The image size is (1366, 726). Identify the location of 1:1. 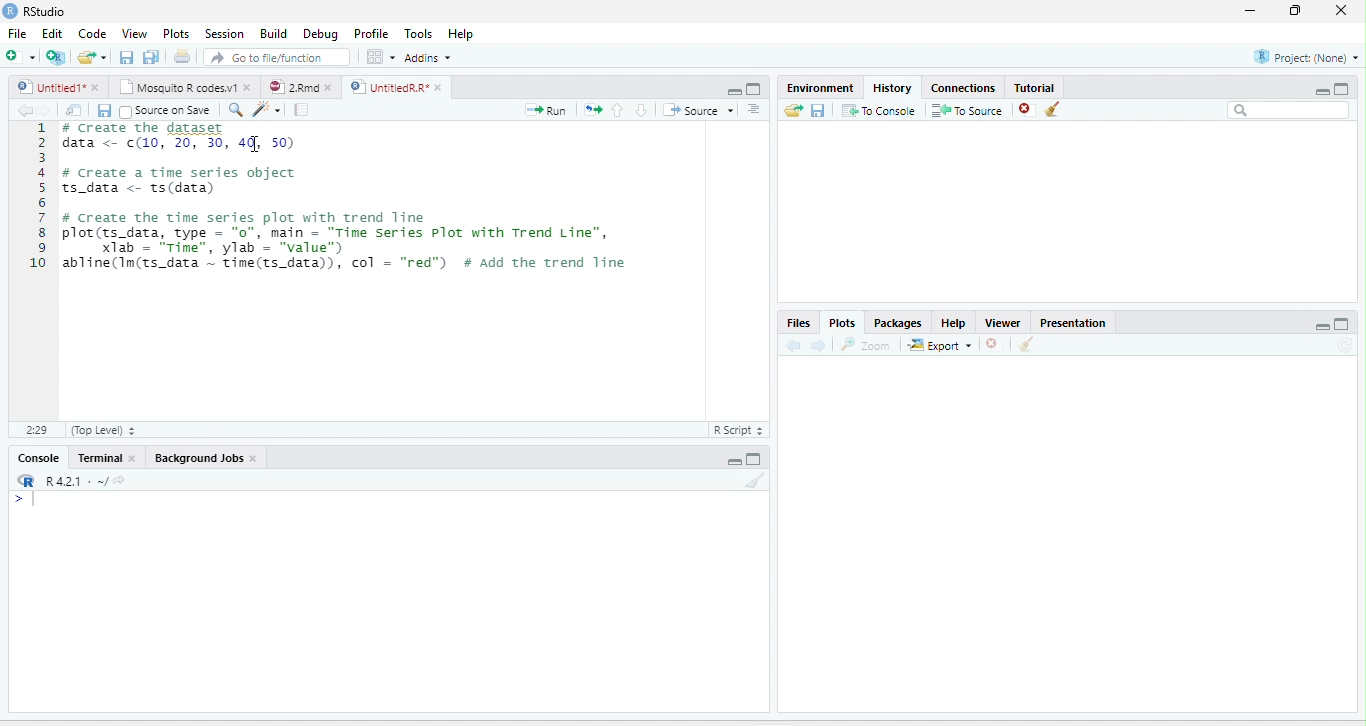
(35, 430).